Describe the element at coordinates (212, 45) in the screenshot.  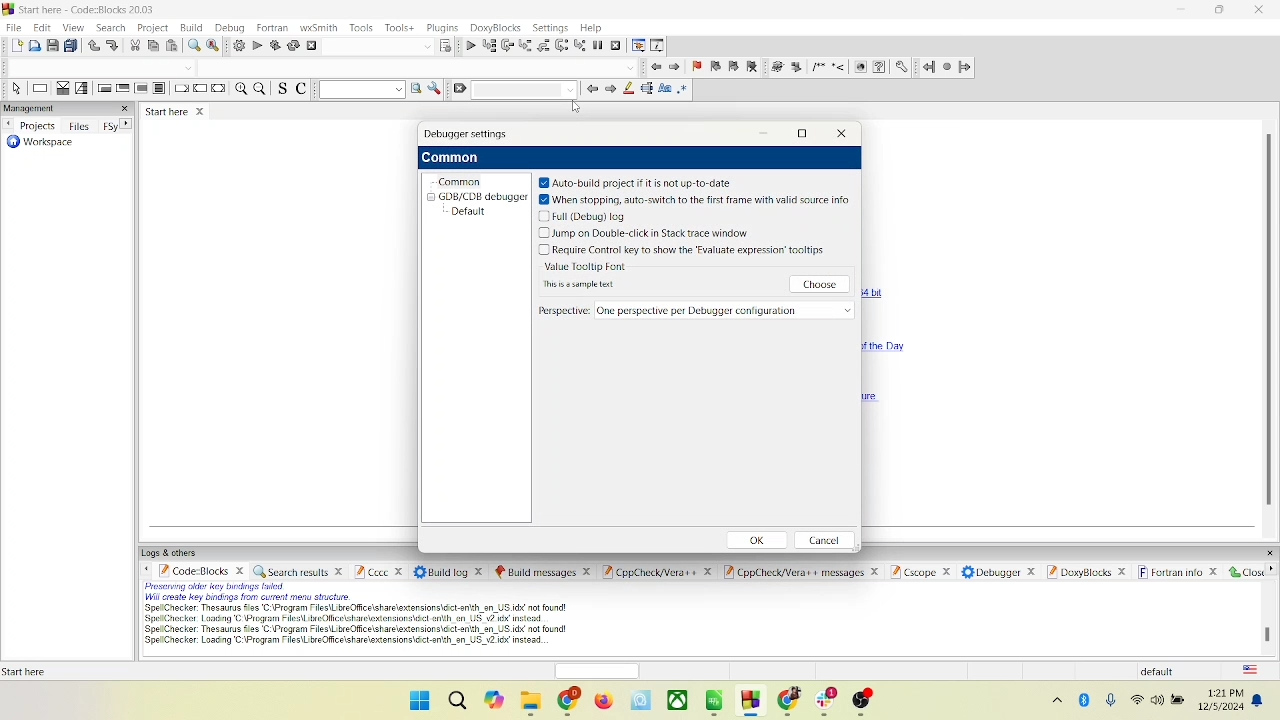
I see `replace` at that location.